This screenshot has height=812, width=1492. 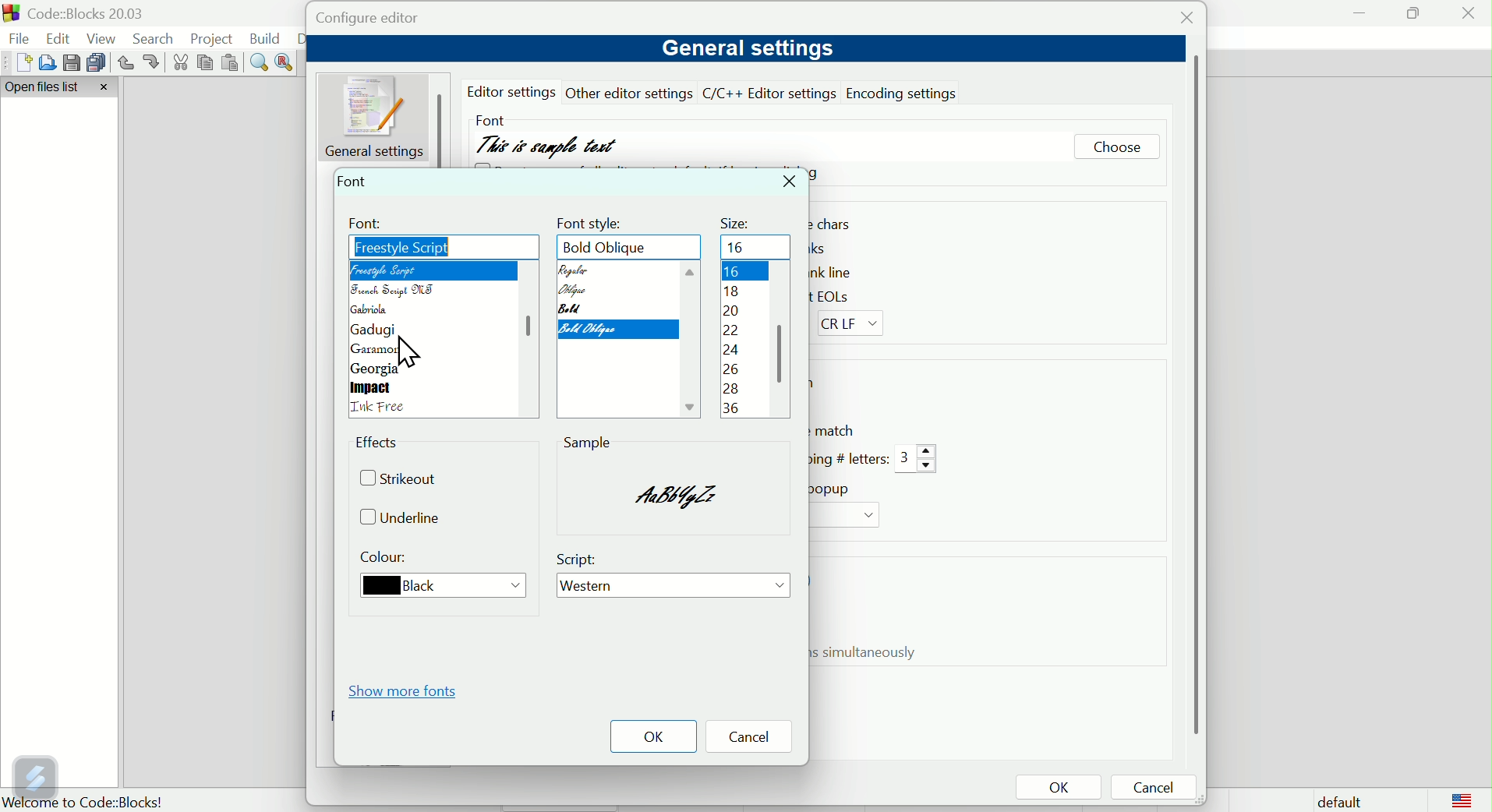 I want to click on Strike out, so click(x=405, y=481).